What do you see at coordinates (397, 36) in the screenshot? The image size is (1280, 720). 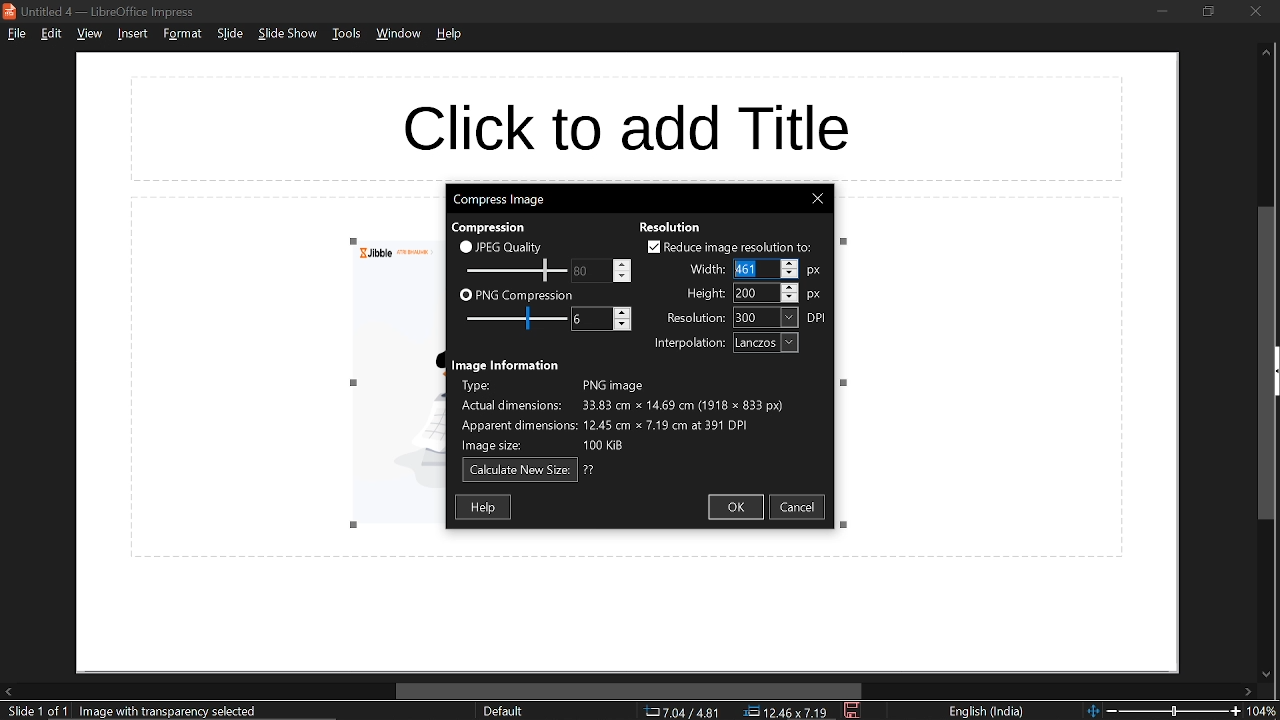 I see `window` at bounding box center [397, 36].